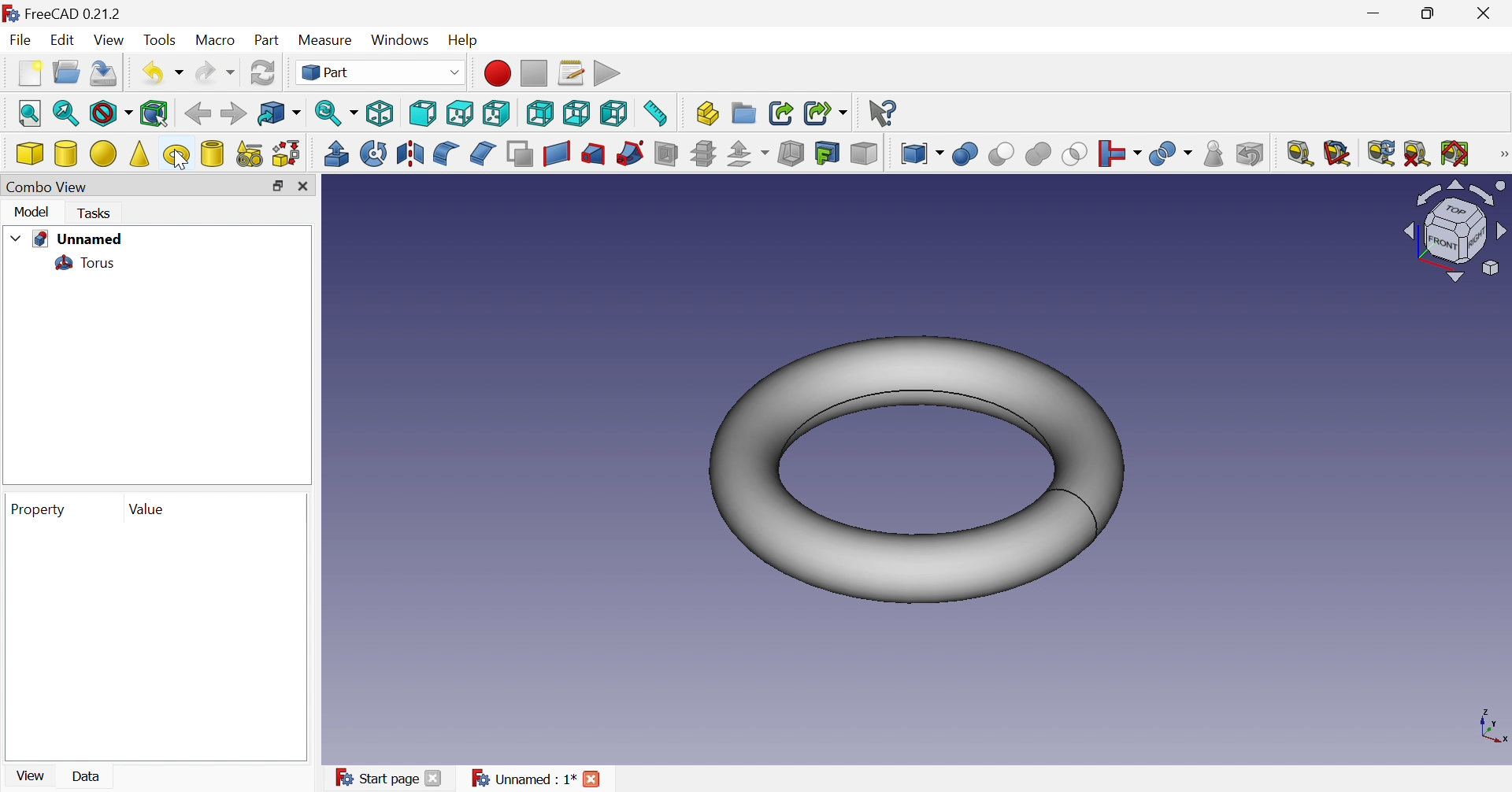 This screenshot has height=792, width=1512. I want to click on Windows, so click(399, 40).